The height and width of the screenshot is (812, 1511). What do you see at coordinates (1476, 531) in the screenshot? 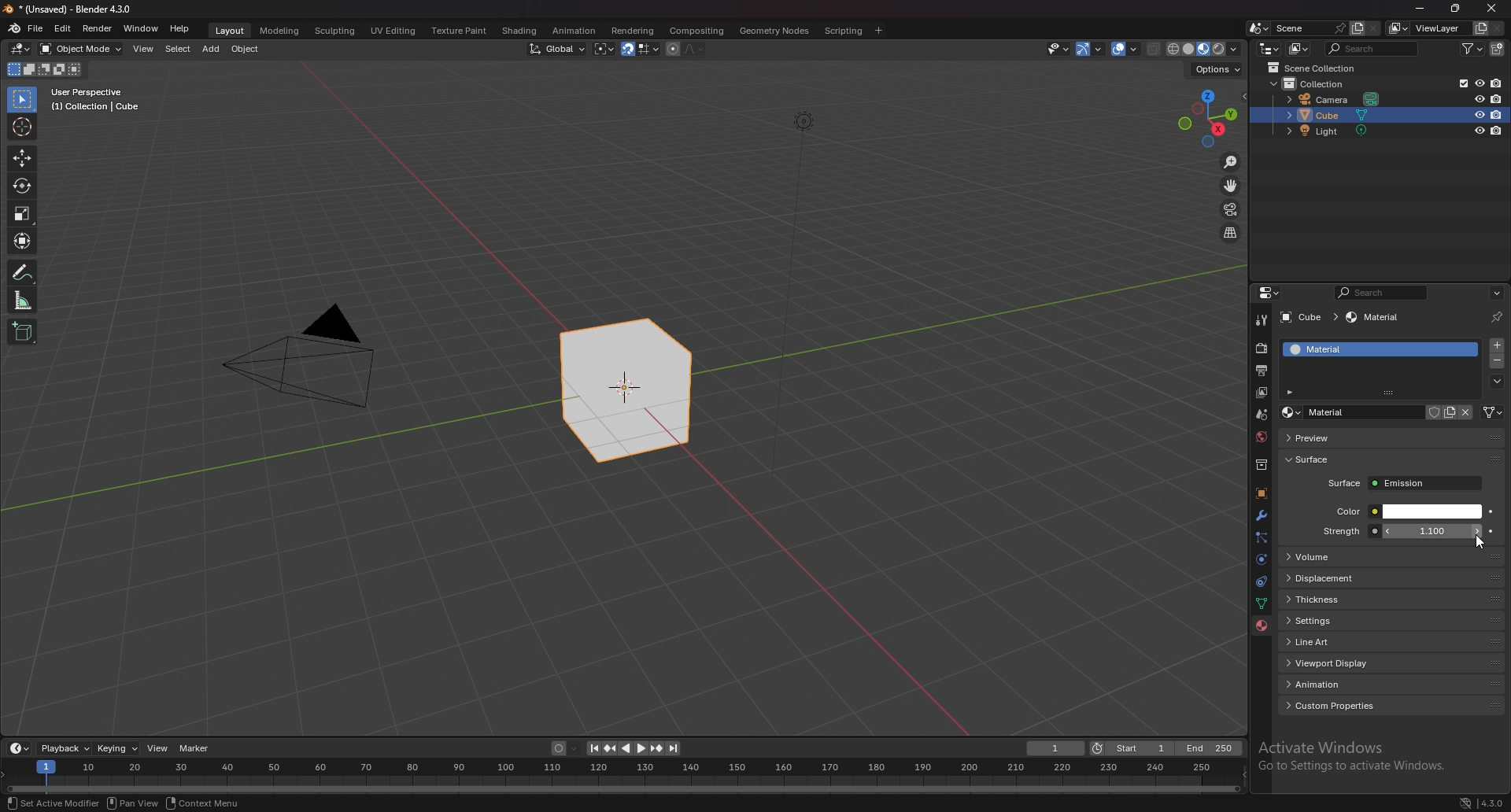
I see `decrease strength` at bounding box center [1476, 531].